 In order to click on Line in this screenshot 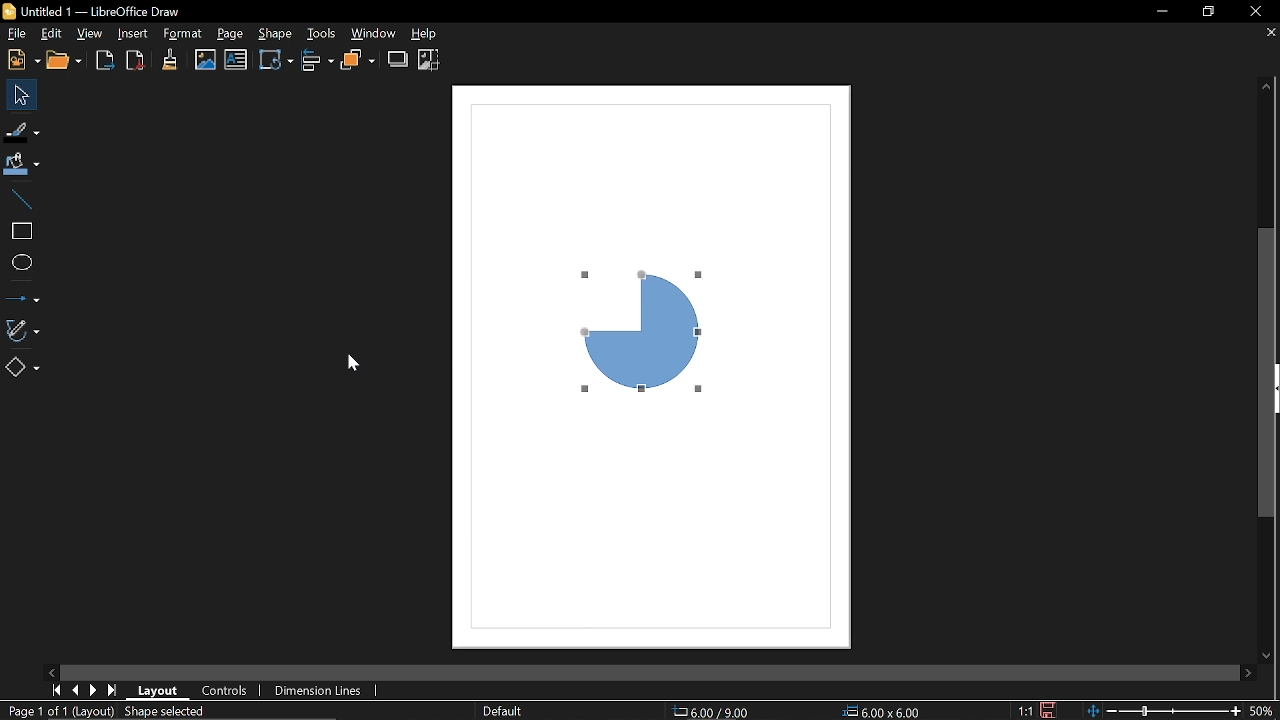, I will do `click(22, 199)`.